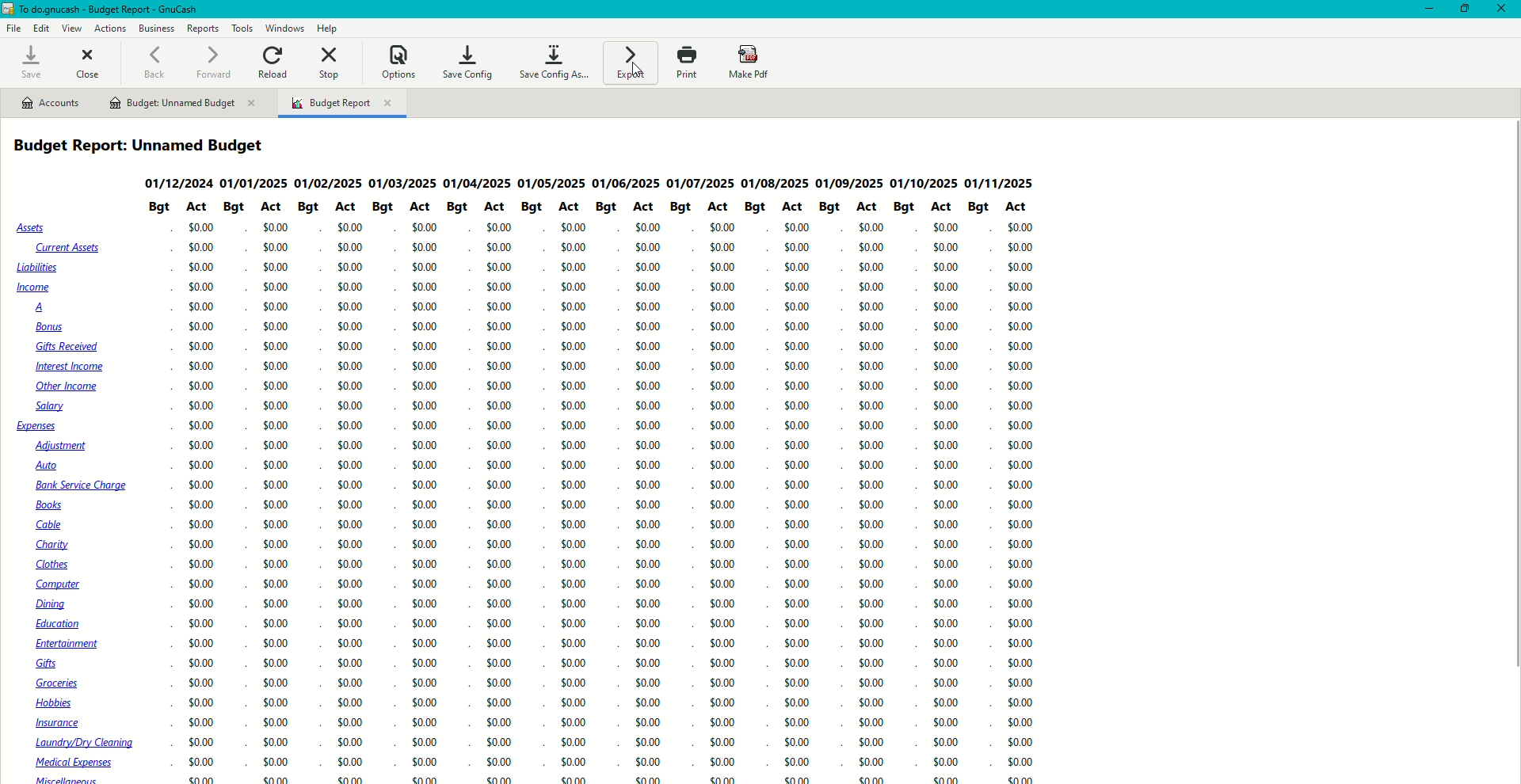  Describe the element at coordinates (685, 63) in the screenshot. I see `Print` at that location.